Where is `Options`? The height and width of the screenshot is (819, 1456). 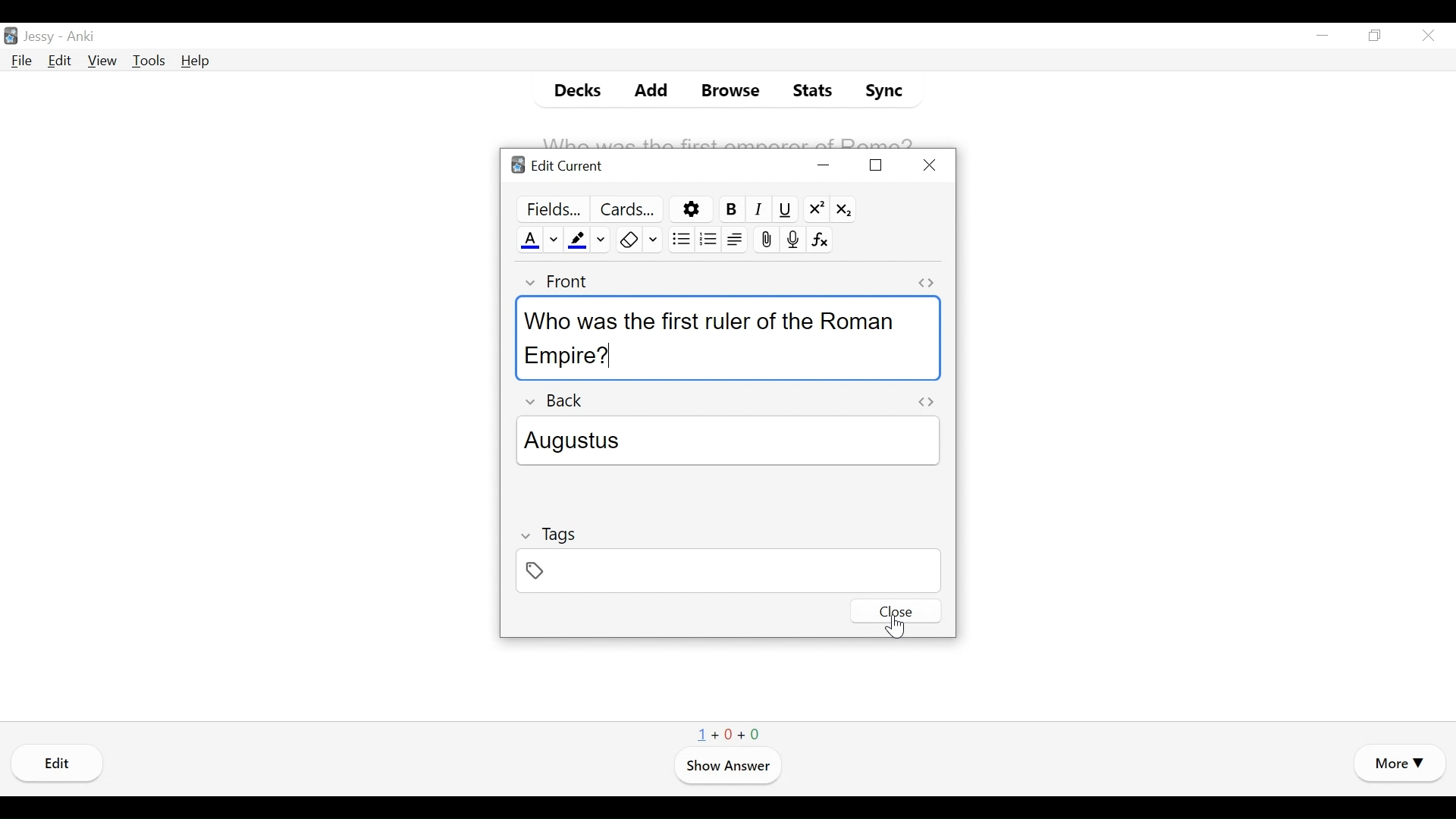
Options is located at coordinates (689, 209).